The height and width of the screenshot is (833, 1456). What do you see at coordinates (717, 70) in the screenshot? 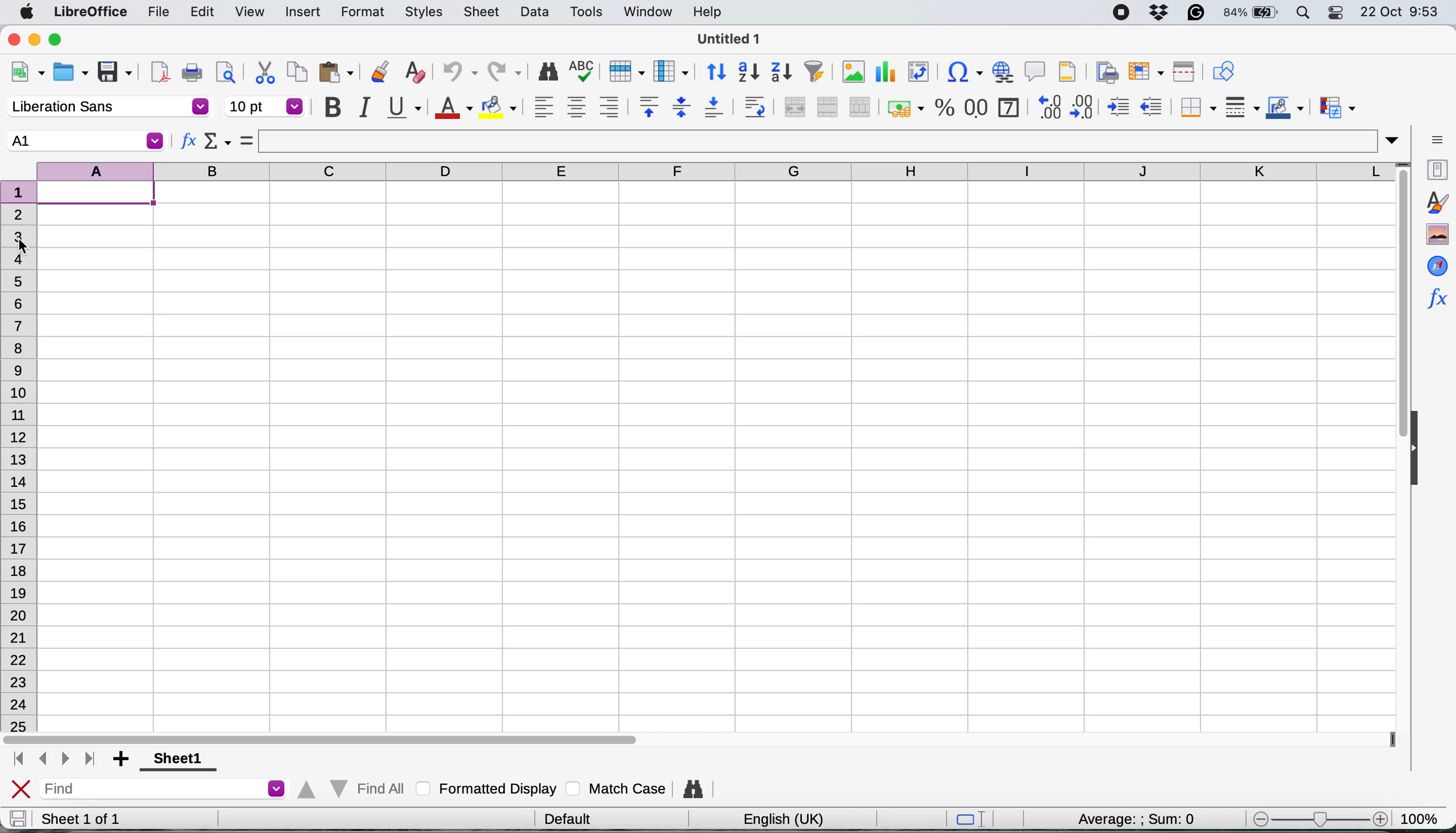
I see `sort` at bounding box center [717, 70].